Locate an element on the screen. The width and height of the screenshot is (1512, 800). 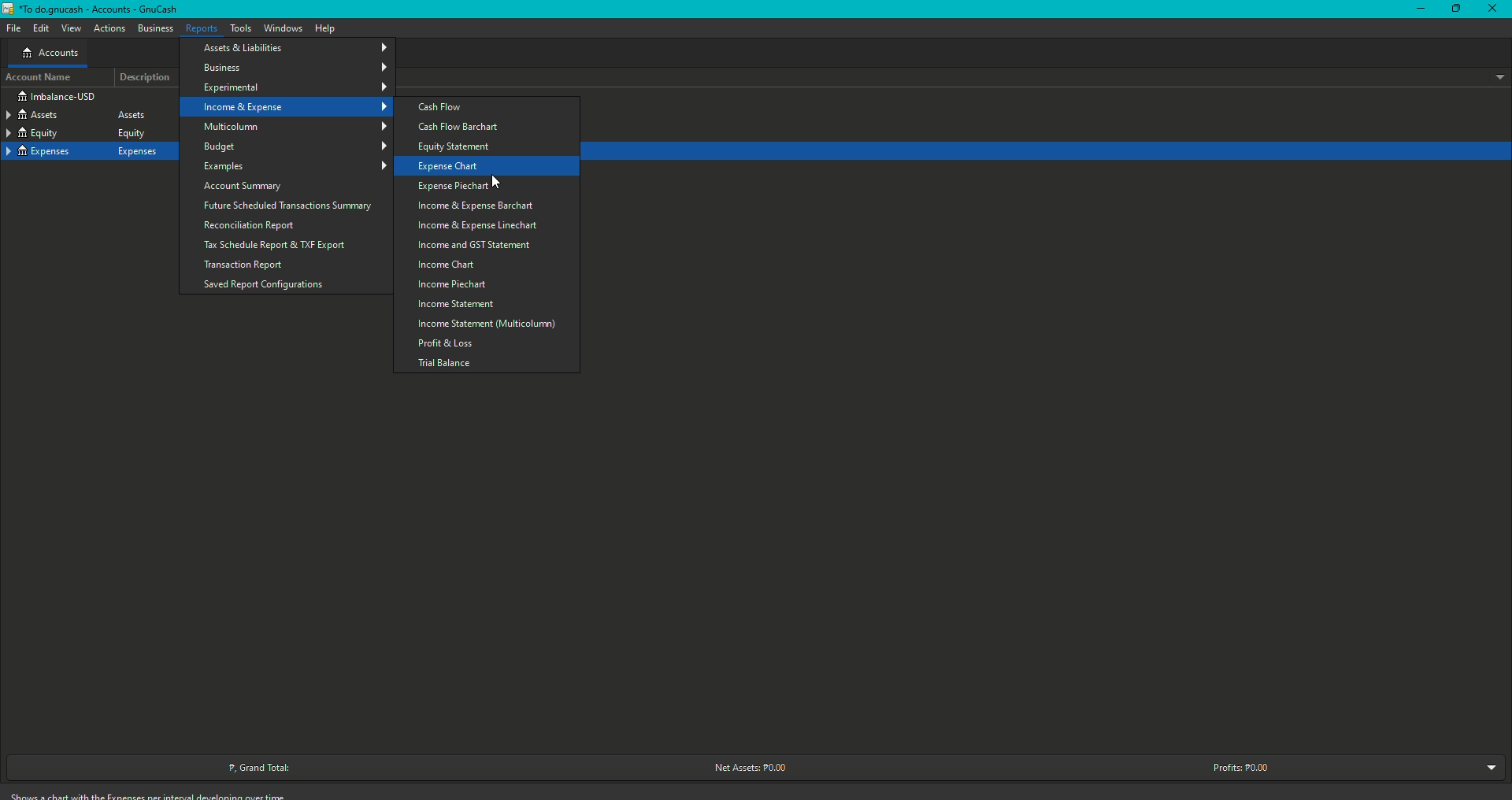
Reconciliation Report is located at coordinates (252, 224).